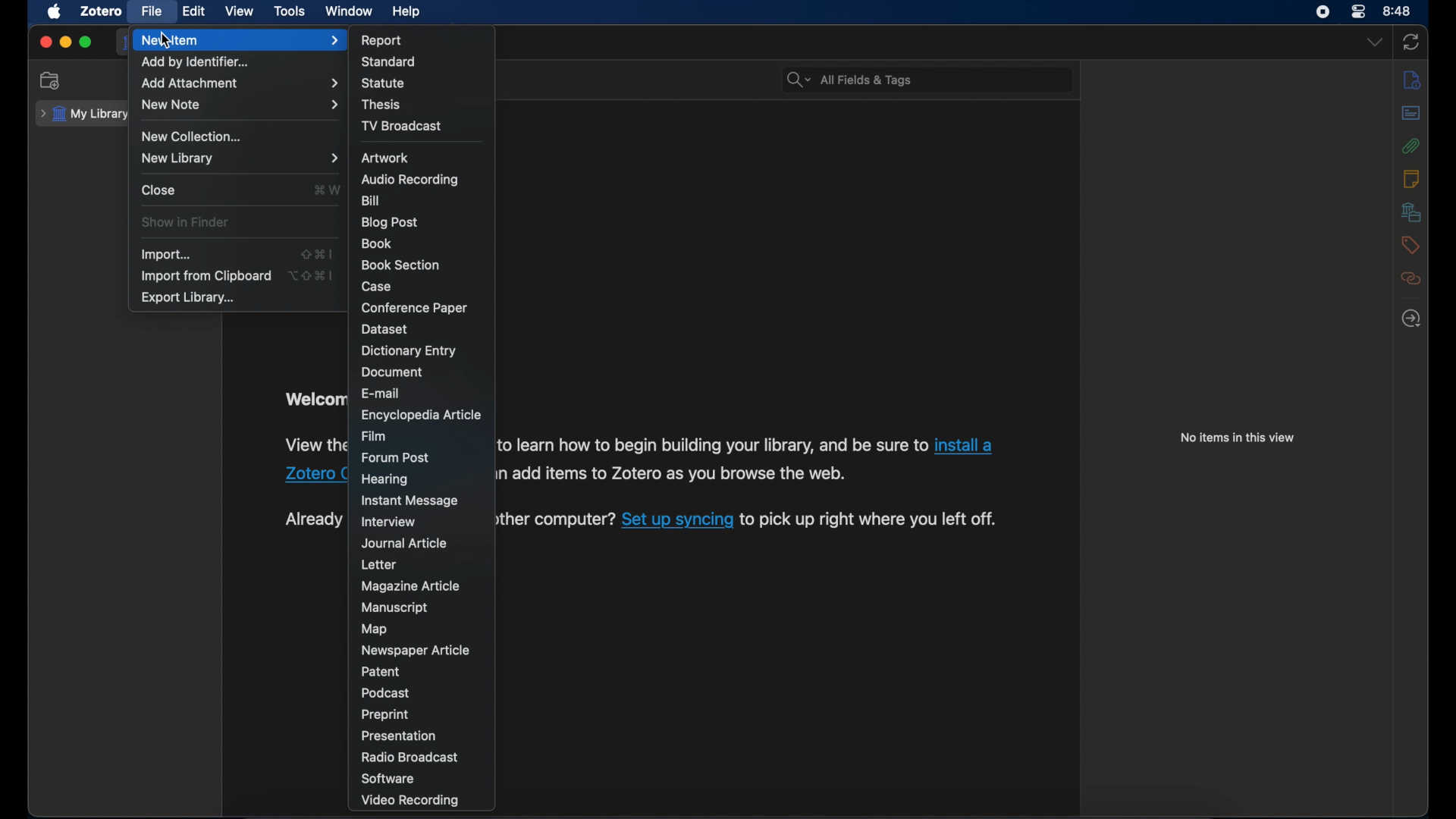 The height and width of the screenshot is (819, 1456). I want to click on cursor on New Item, so click(163, 41).